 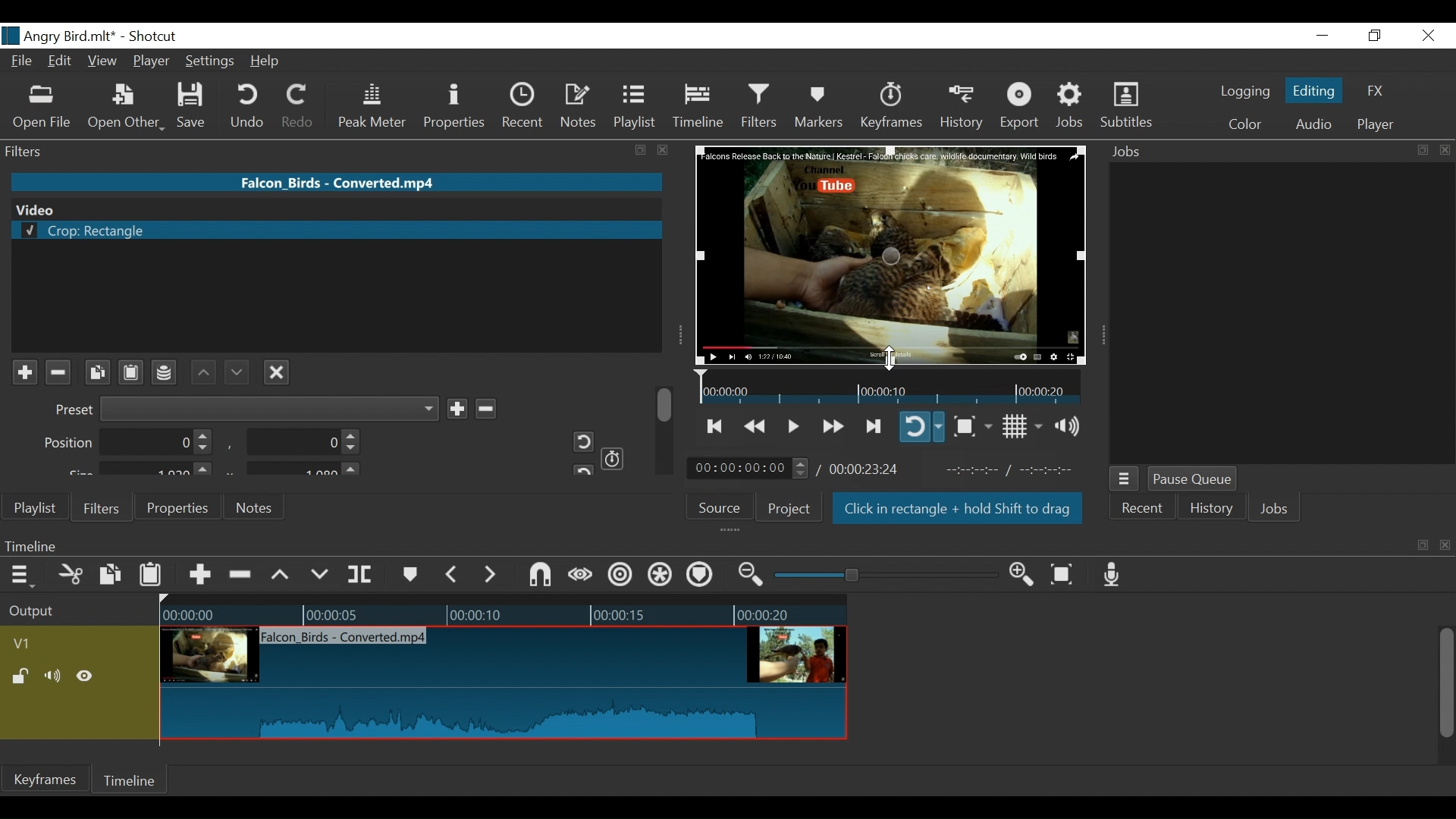 I want to click on View, so click(x=102, y=62).